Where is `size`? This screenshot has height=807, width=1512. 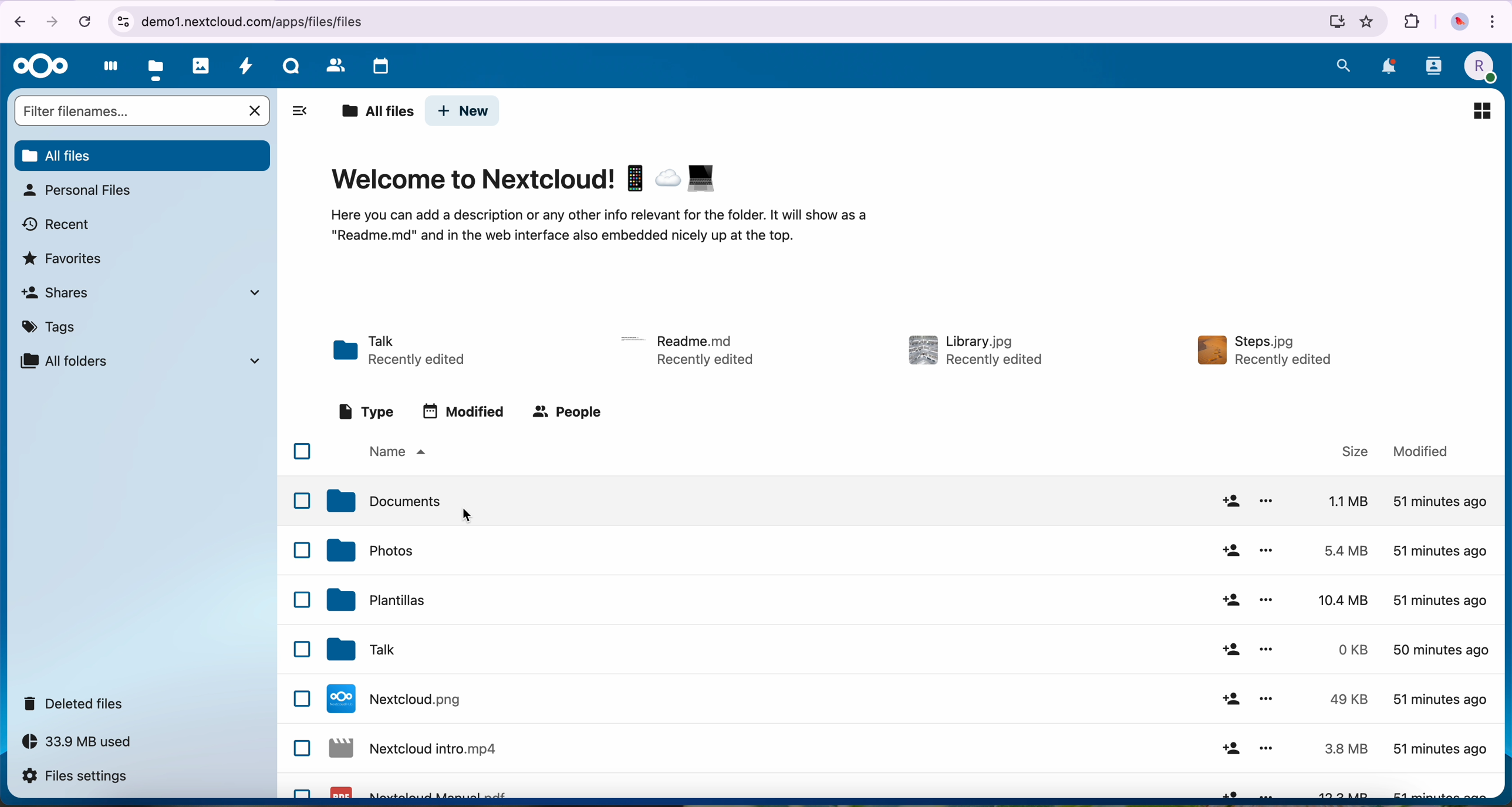 size is located at coordinates (1350, 698).